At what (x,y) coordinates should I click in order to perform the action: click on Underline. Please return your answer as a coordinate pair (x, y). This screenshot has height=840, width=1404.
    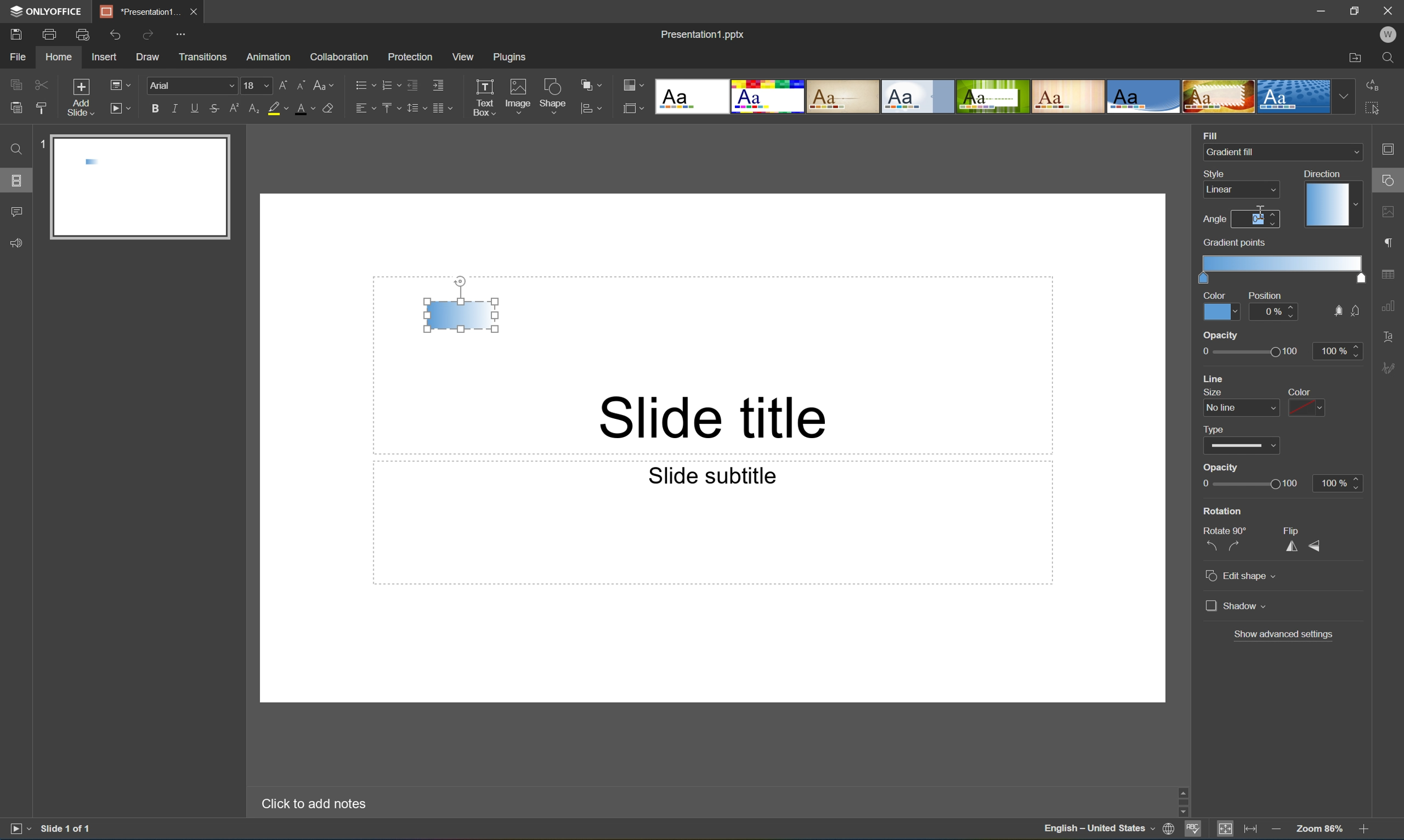
    Looking at the image, I should click on (195, 106).